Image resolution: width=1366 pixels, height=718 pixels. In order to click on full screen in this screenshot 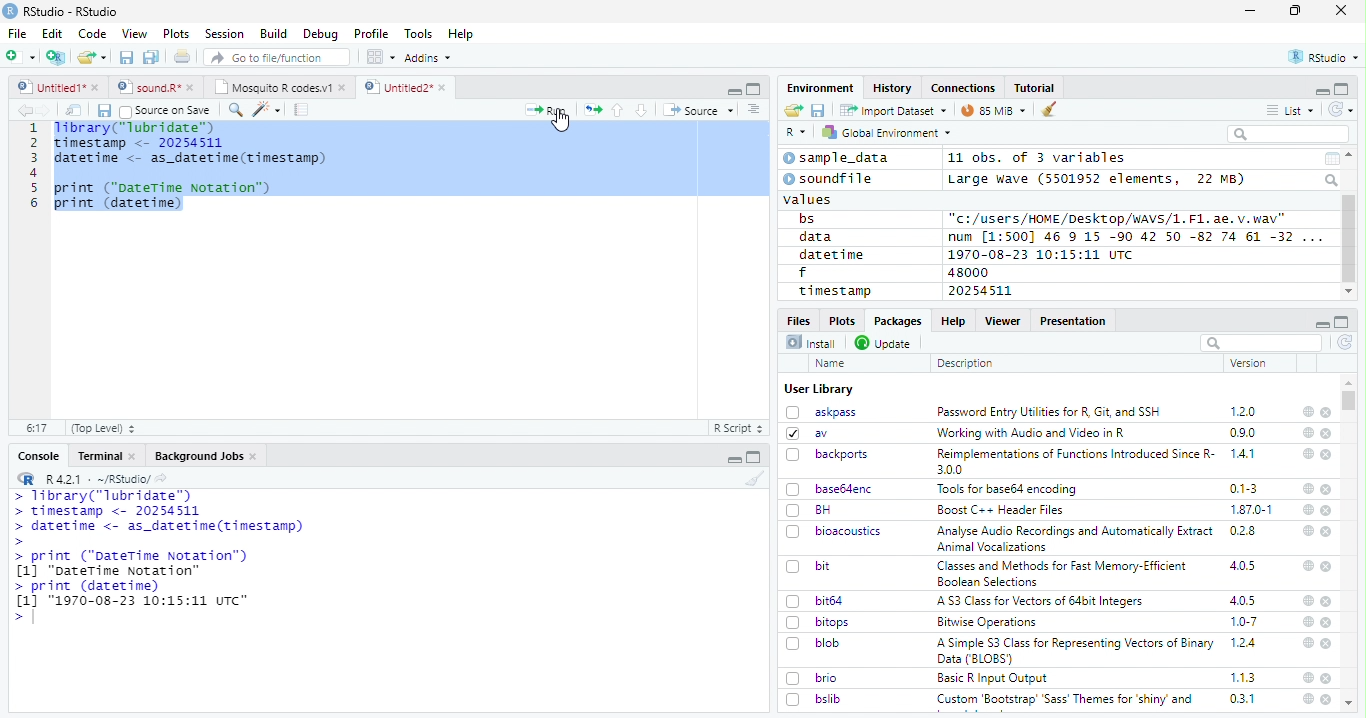, I will do `click(1342, 322)`.